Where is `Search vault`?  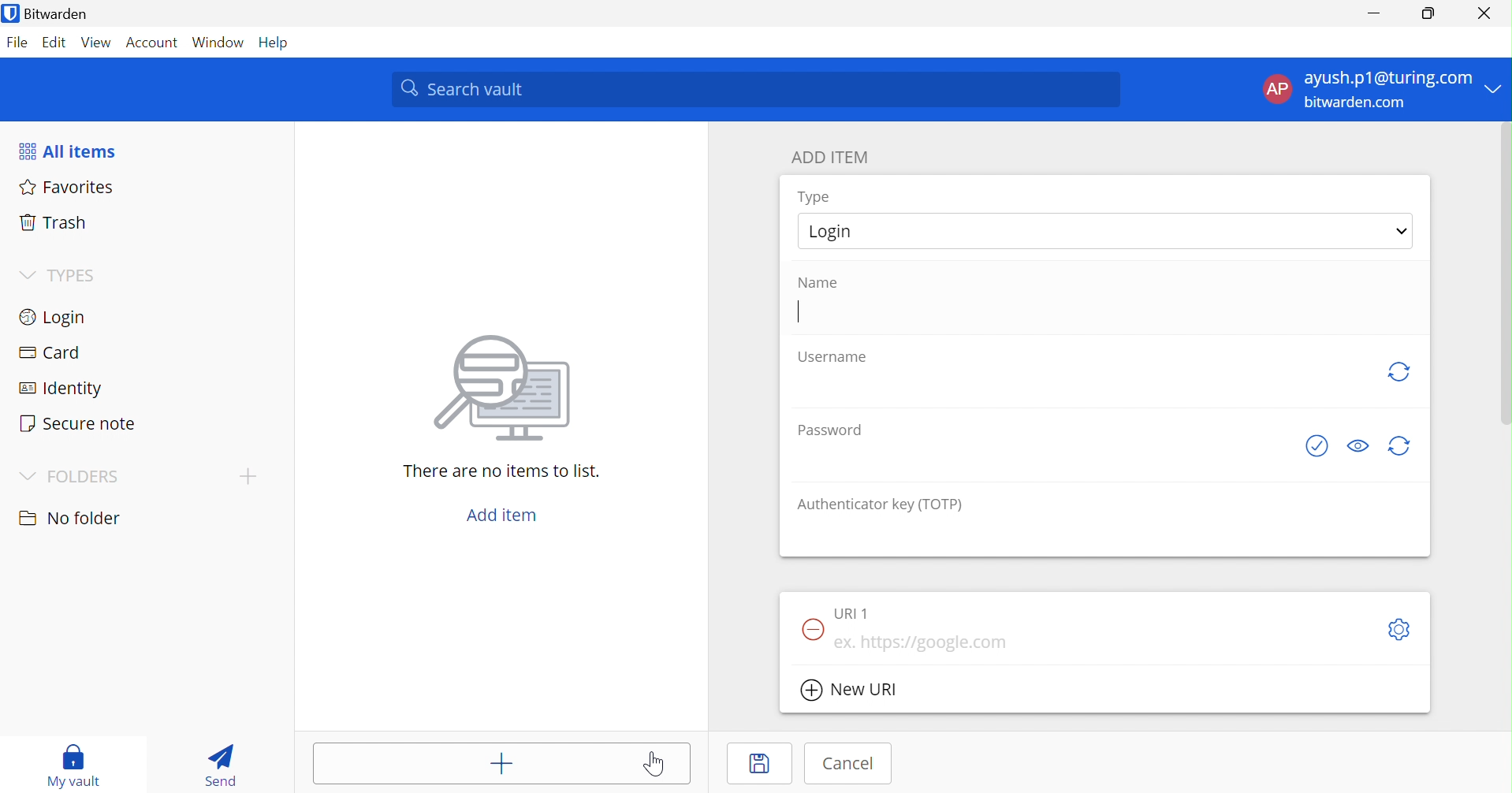 Search vault is located at coordinates (754, 88).